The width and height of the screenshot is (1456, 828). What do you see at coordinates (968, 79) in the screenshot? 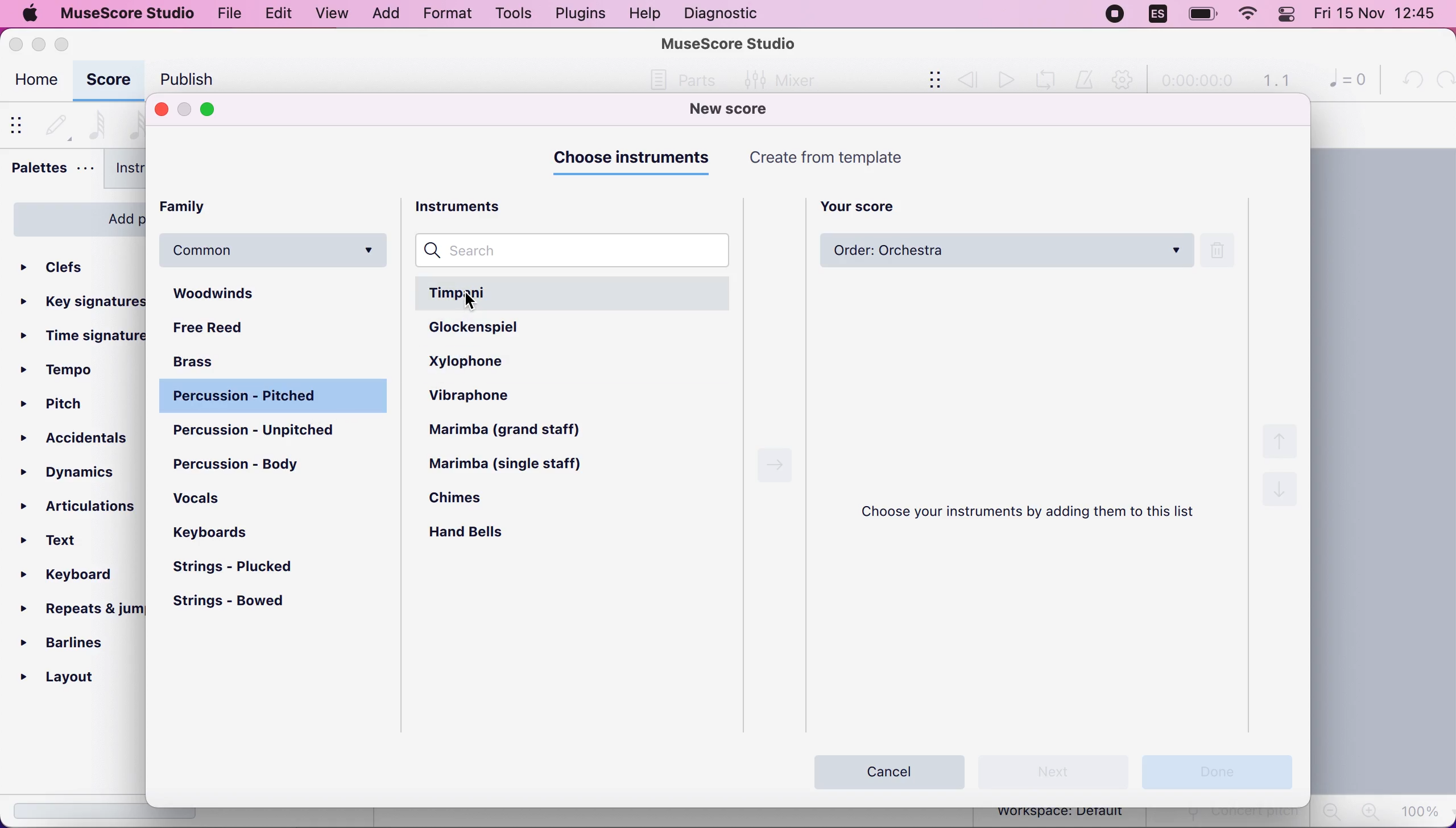
I see `review` at bounding box center [968, 79].